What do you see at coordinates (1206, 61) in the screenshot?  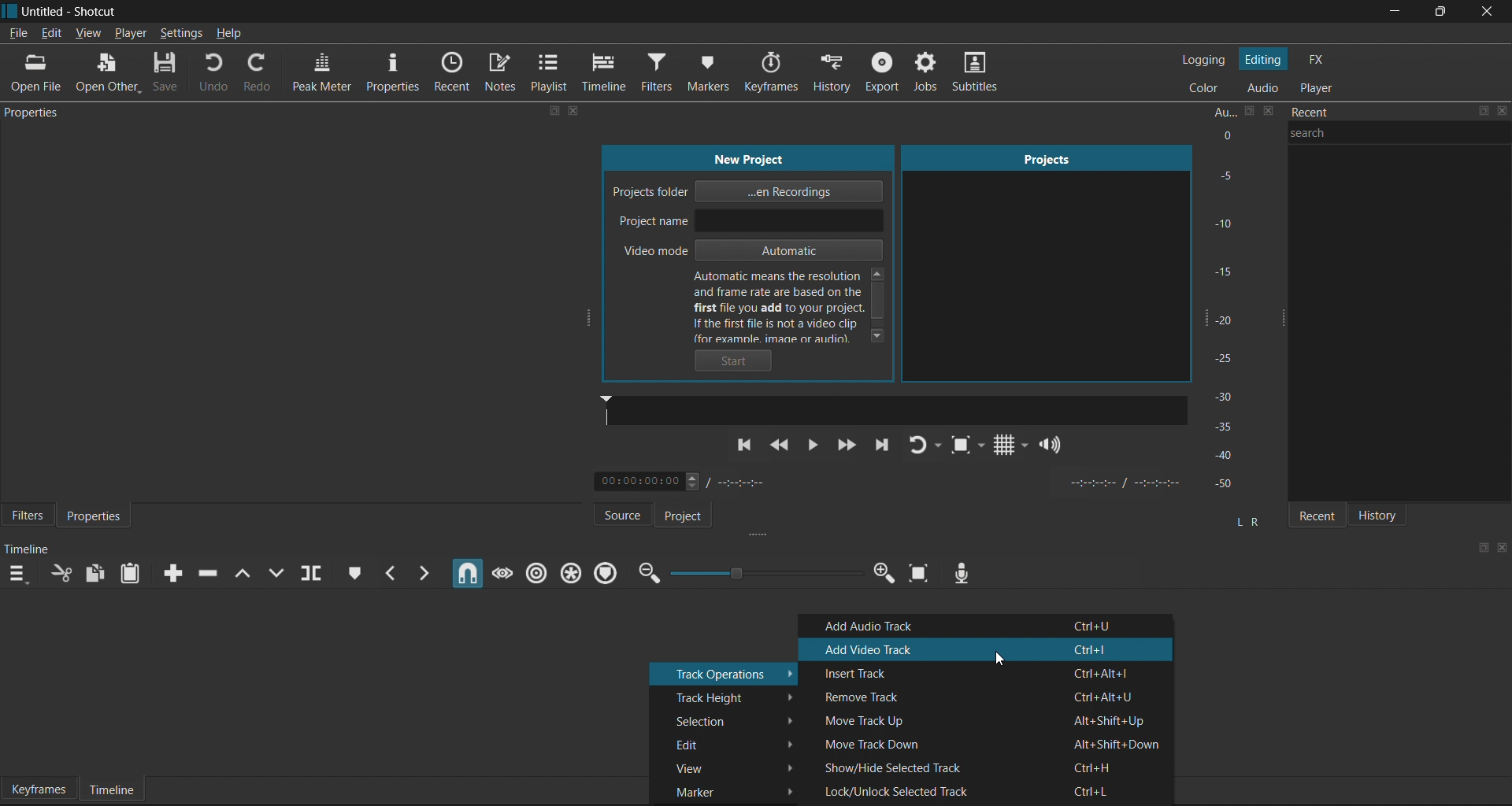 I see `Logging` at bounding box center [1206, 61].